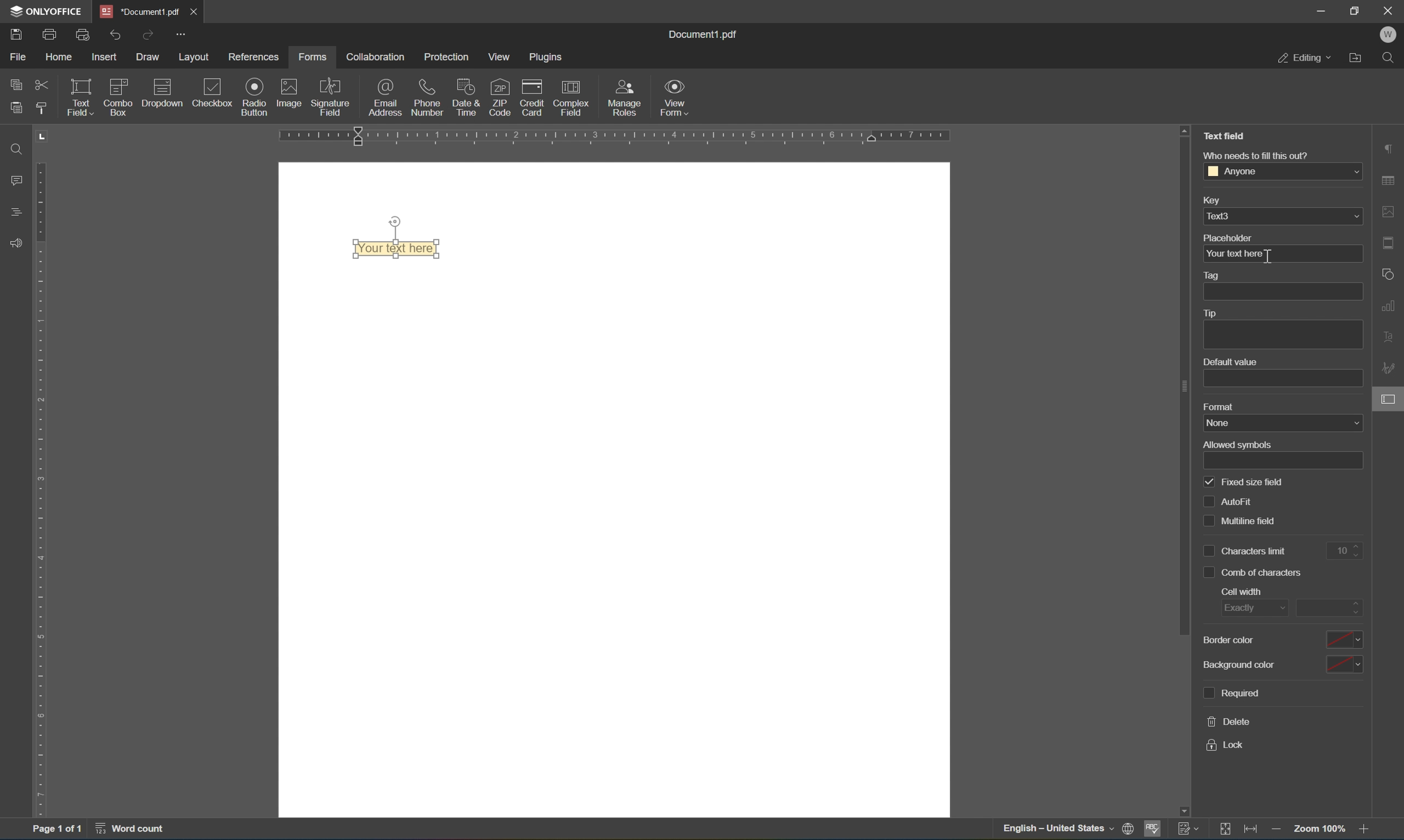 Image resolution: width=1404 pixels, height=840 pixels. What do you see at coordinates (1223, 407) in the screenshot?
I see `format` at bounding box center [1223, 407].